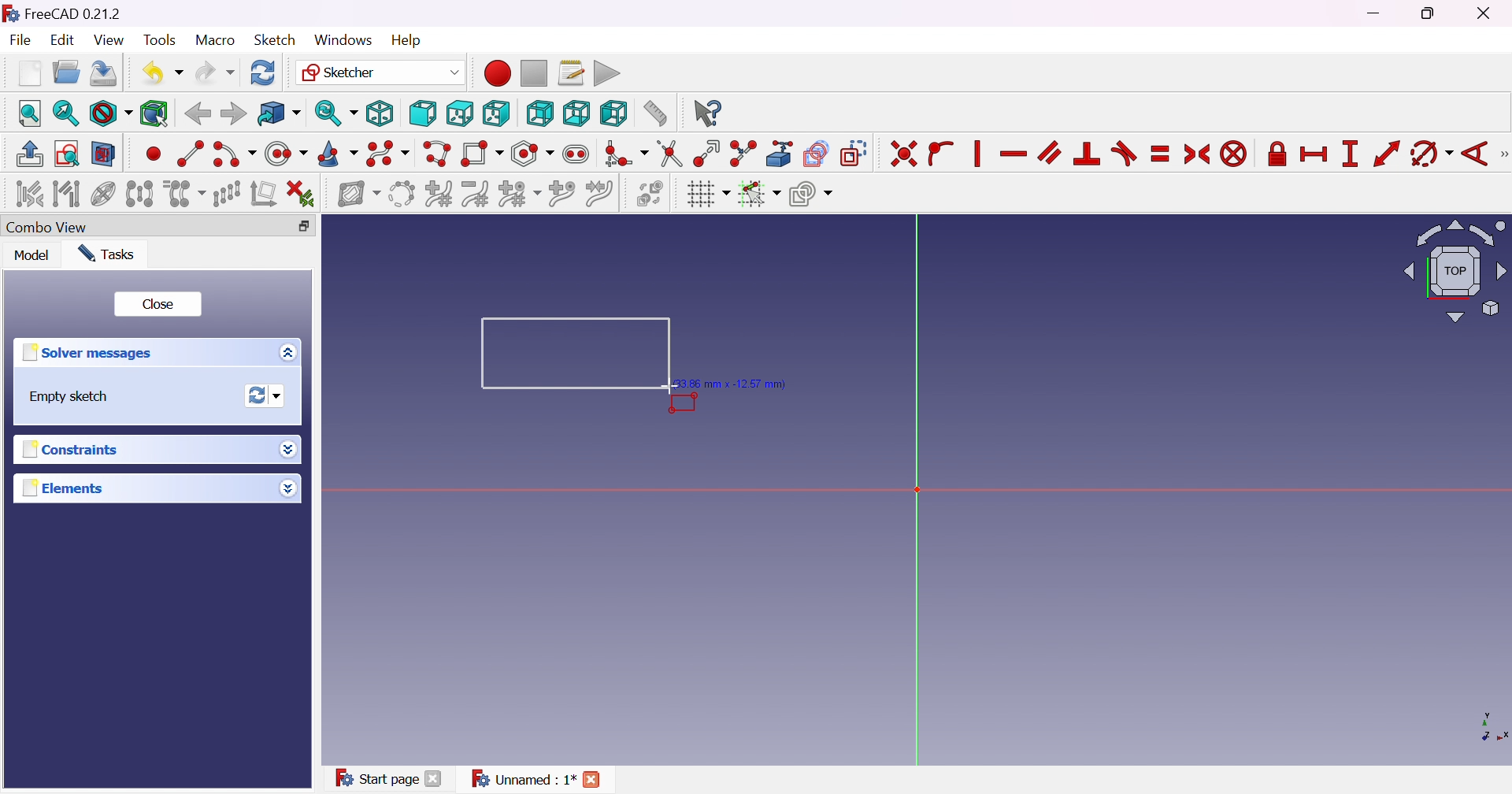 The image size is (1512, 794). Describe the element at coordinates (671, 154) in the screenshot. I see `Trim edge` at that location.